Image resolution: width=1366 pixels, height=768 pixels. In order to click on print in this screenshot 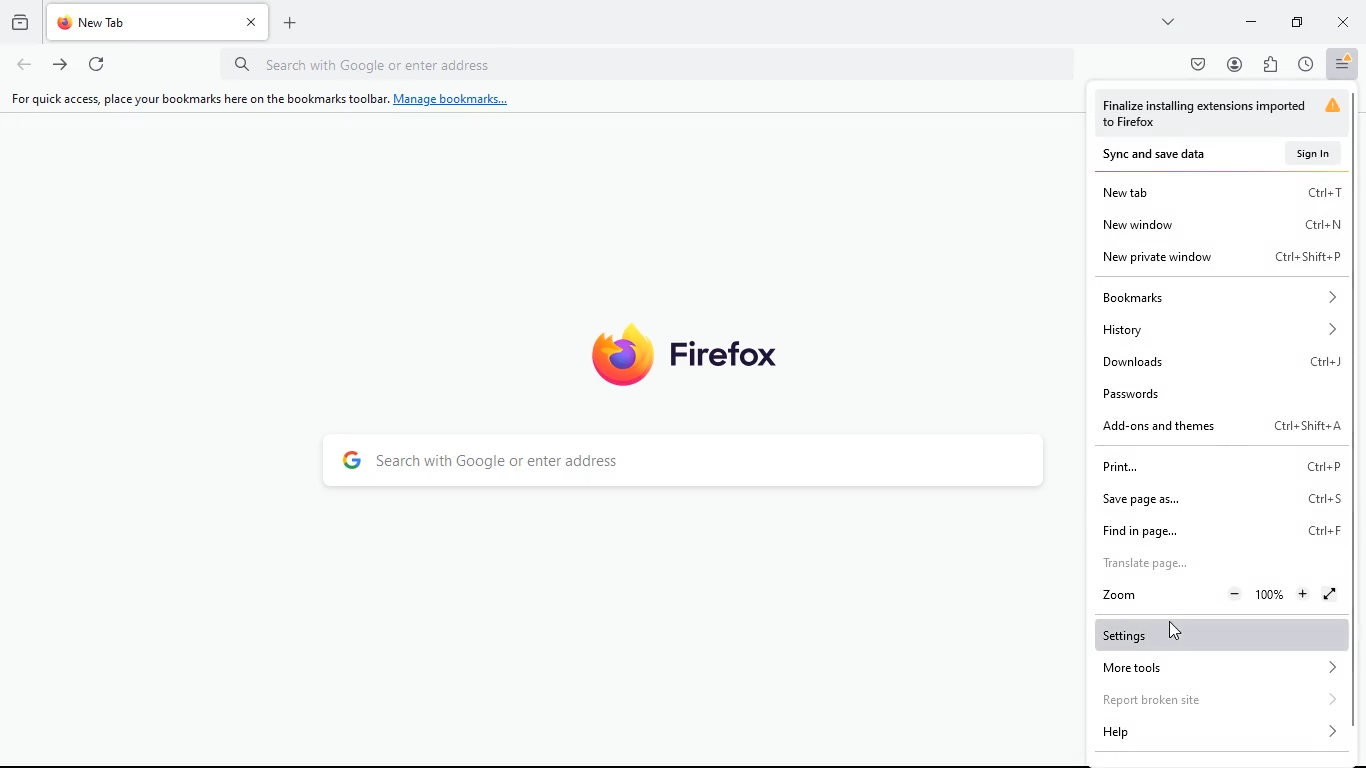, I will do `click(1217, 466)`.